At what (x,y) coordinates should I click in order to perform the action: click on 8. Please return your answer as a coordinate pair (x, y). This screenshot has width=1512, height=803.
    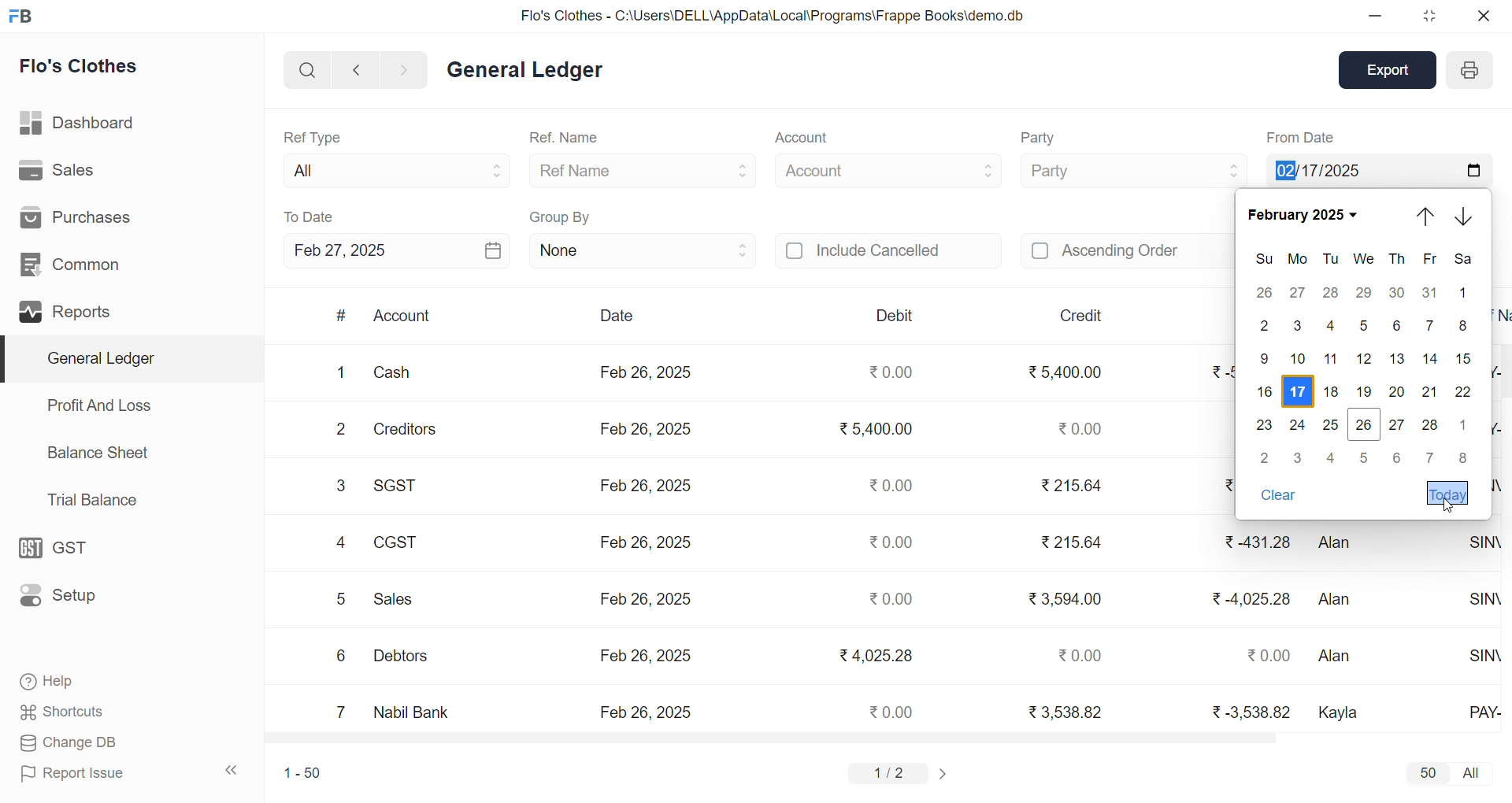
    Looking at the image, I should click on (1460, 461).